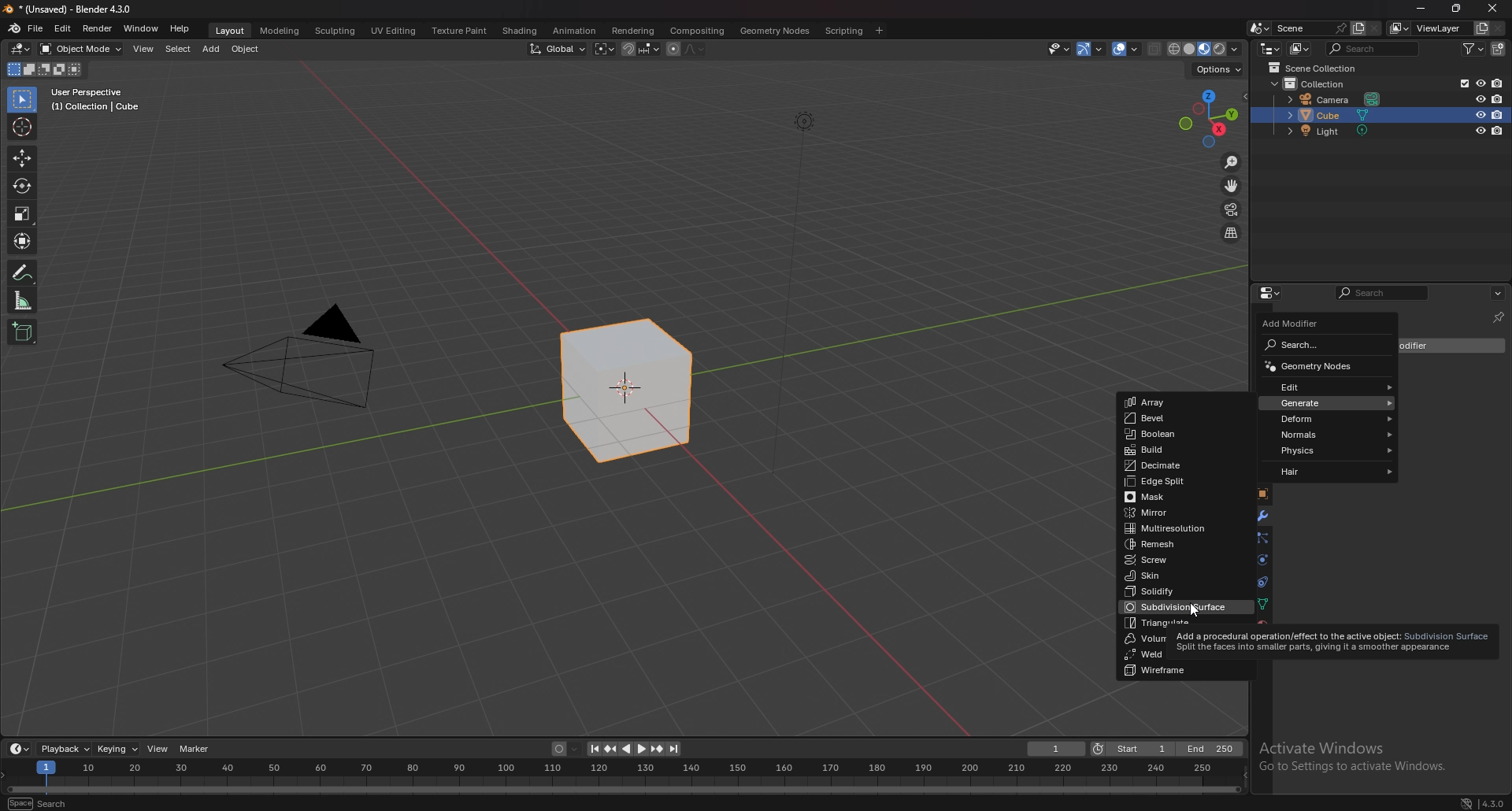 This screenshot has width=1512, height=811. Describe the element at coordinates (879, 31) in the screenshot. I see `add workspace` at that location.